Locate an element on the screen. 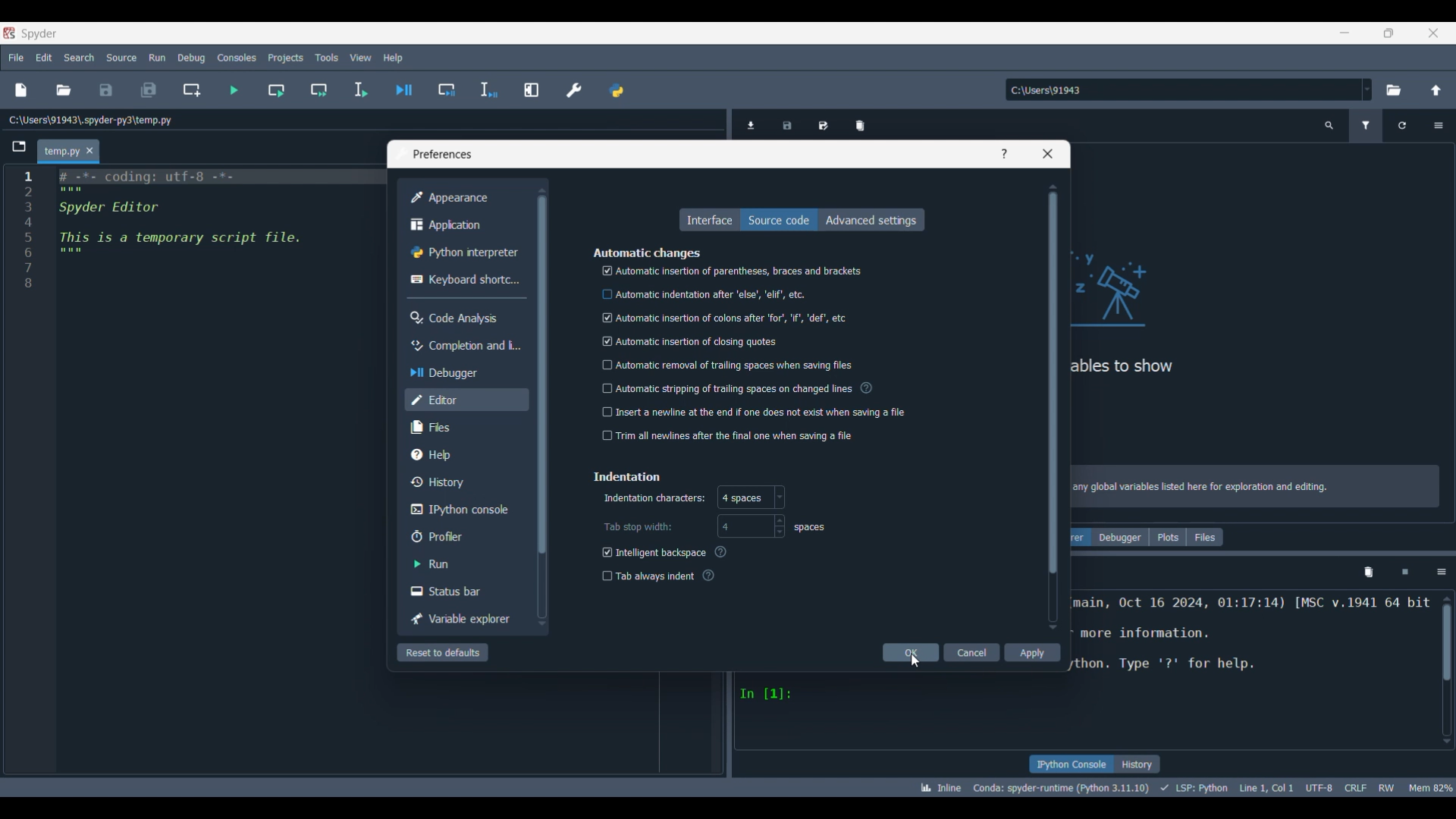 This screenshot has width=1456, height=819. File menu is located at coordinates (16, 58).